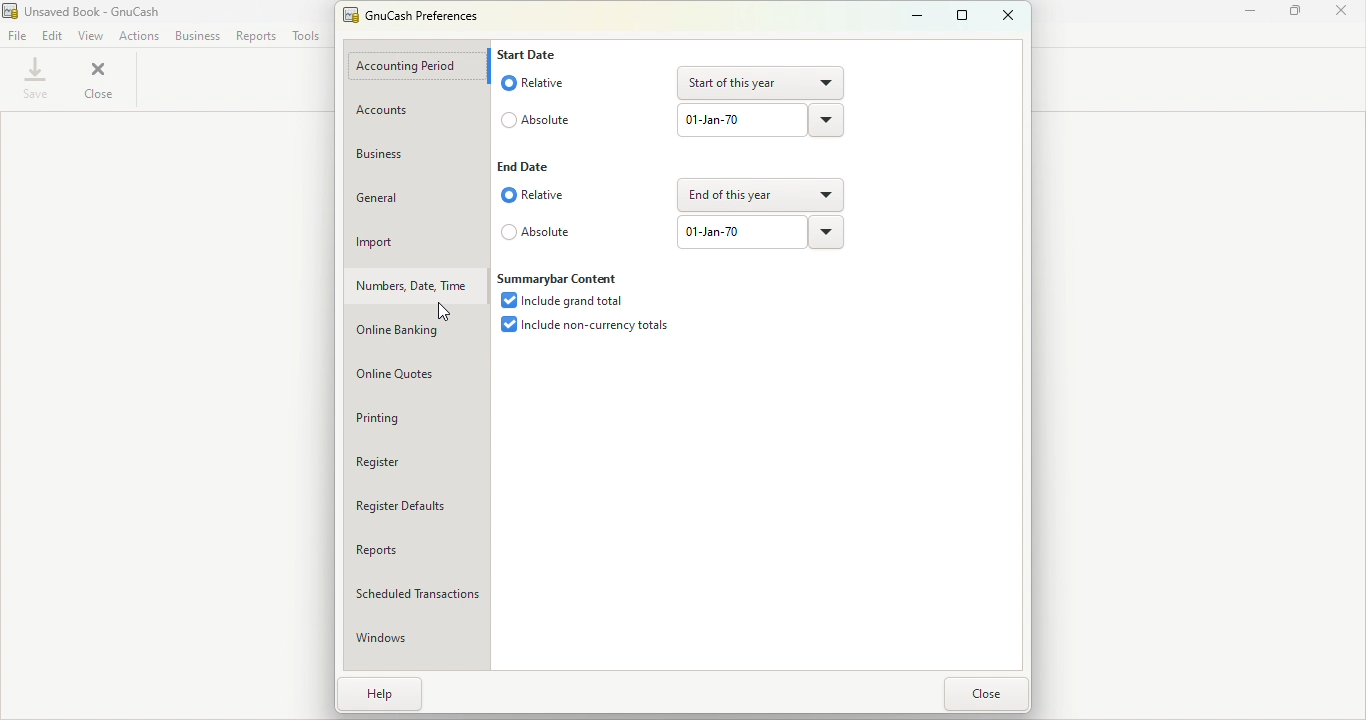 The width and height of the screenshot is (1366, 720). I want to click on close, so click(101, 80).